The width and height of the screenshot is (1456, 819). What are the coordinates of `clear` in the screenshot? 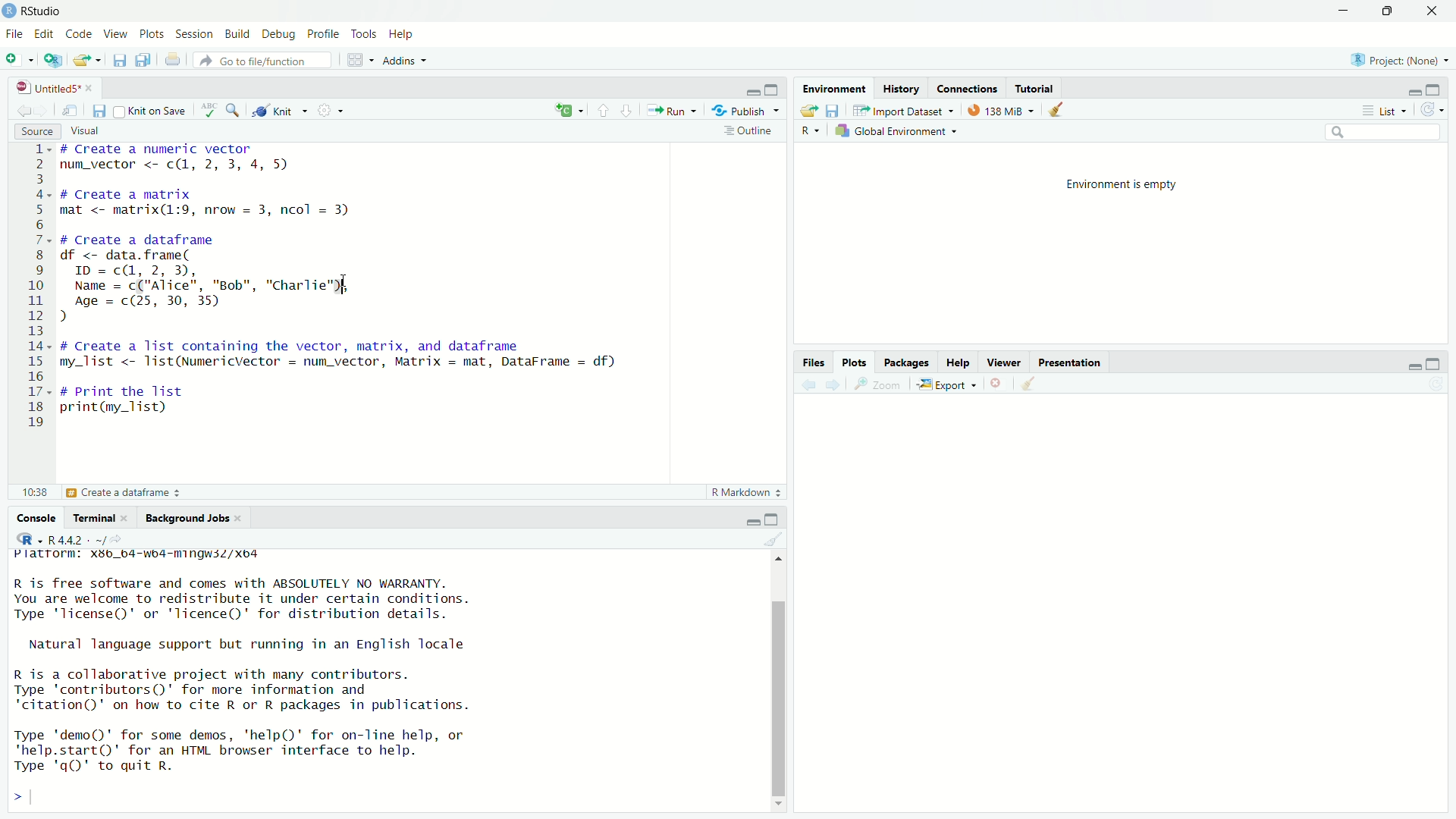 It's located at (1030, 388).